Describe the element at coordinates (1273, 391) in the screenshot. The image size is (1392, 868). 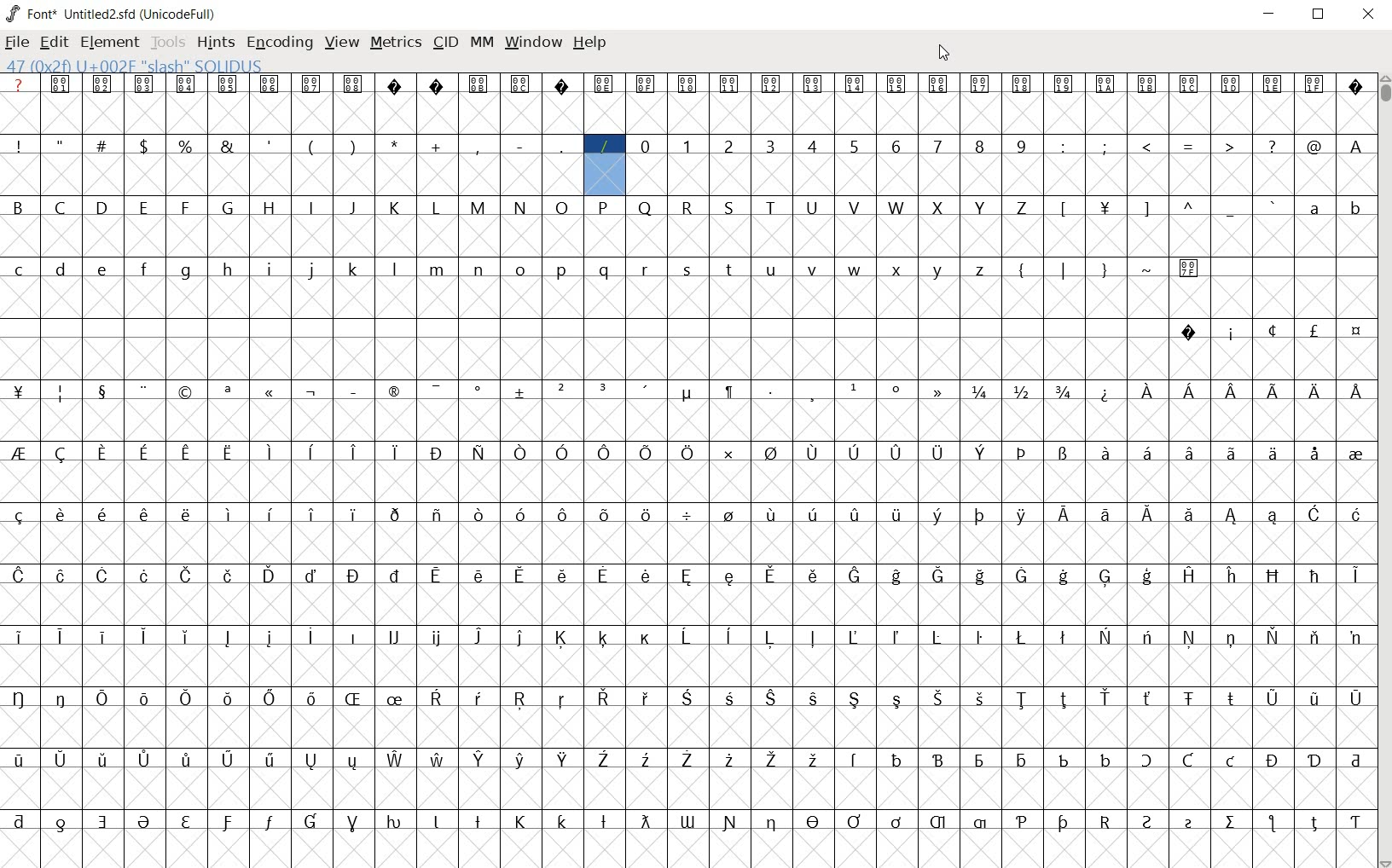
I see `glyph` at that location.